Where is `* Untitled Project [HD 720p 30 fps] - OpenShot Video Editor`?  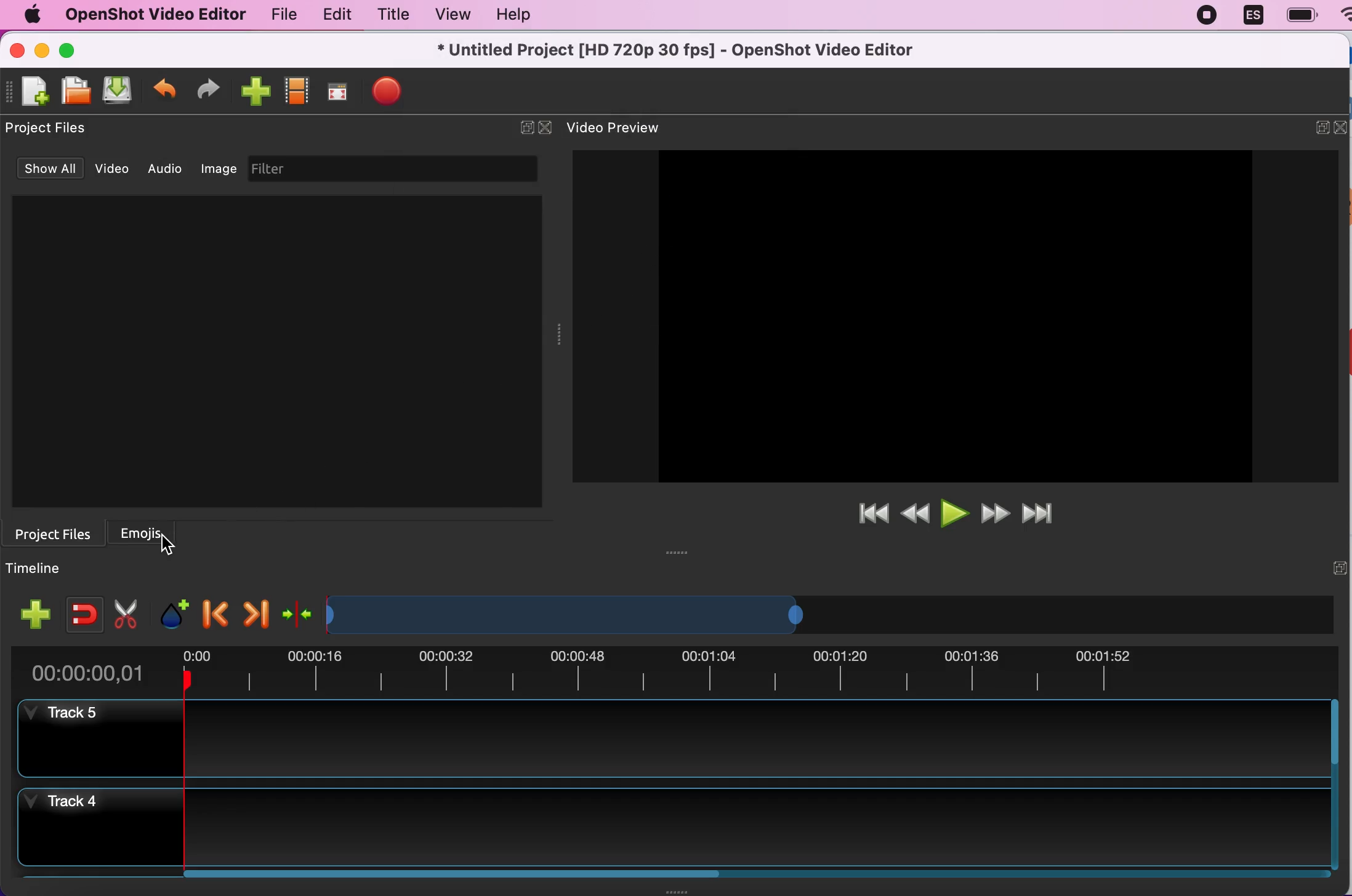 * Untitled Project [HD 720p 30 fps] - OpenShot Video Editor is located at coordinates (680, 49).